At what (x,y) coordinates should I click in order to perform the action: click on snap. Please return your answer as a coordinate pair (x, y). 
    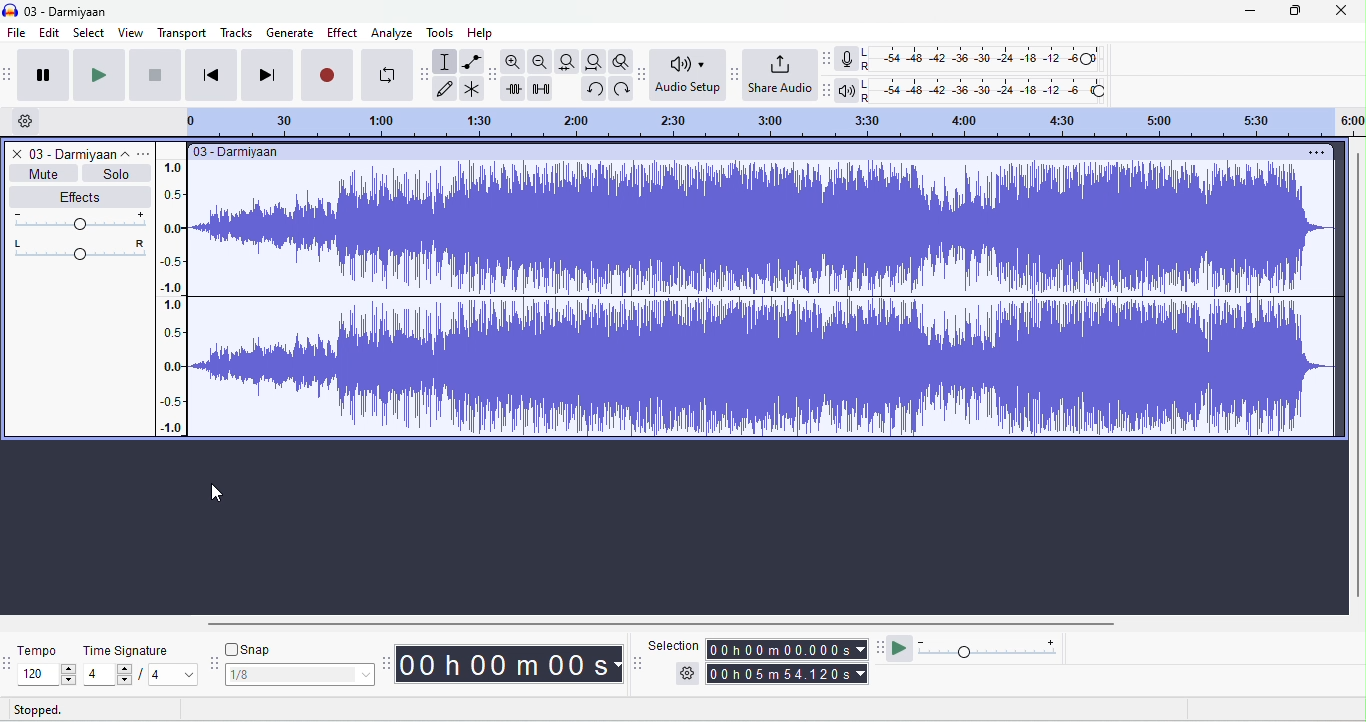
    Looking at the image, I should click on (250, 649).